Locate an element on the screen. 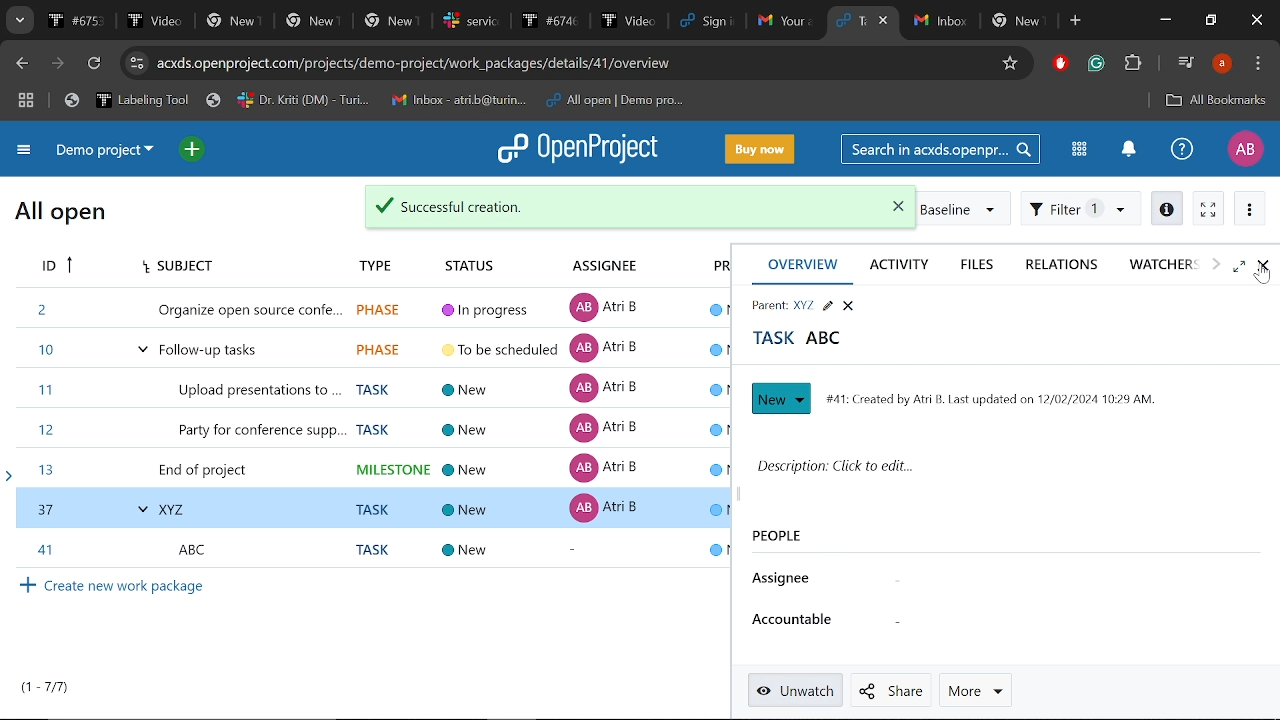 This screenshot has height=720, width=1280. Expand project menu is located at coordinates (25, 153).